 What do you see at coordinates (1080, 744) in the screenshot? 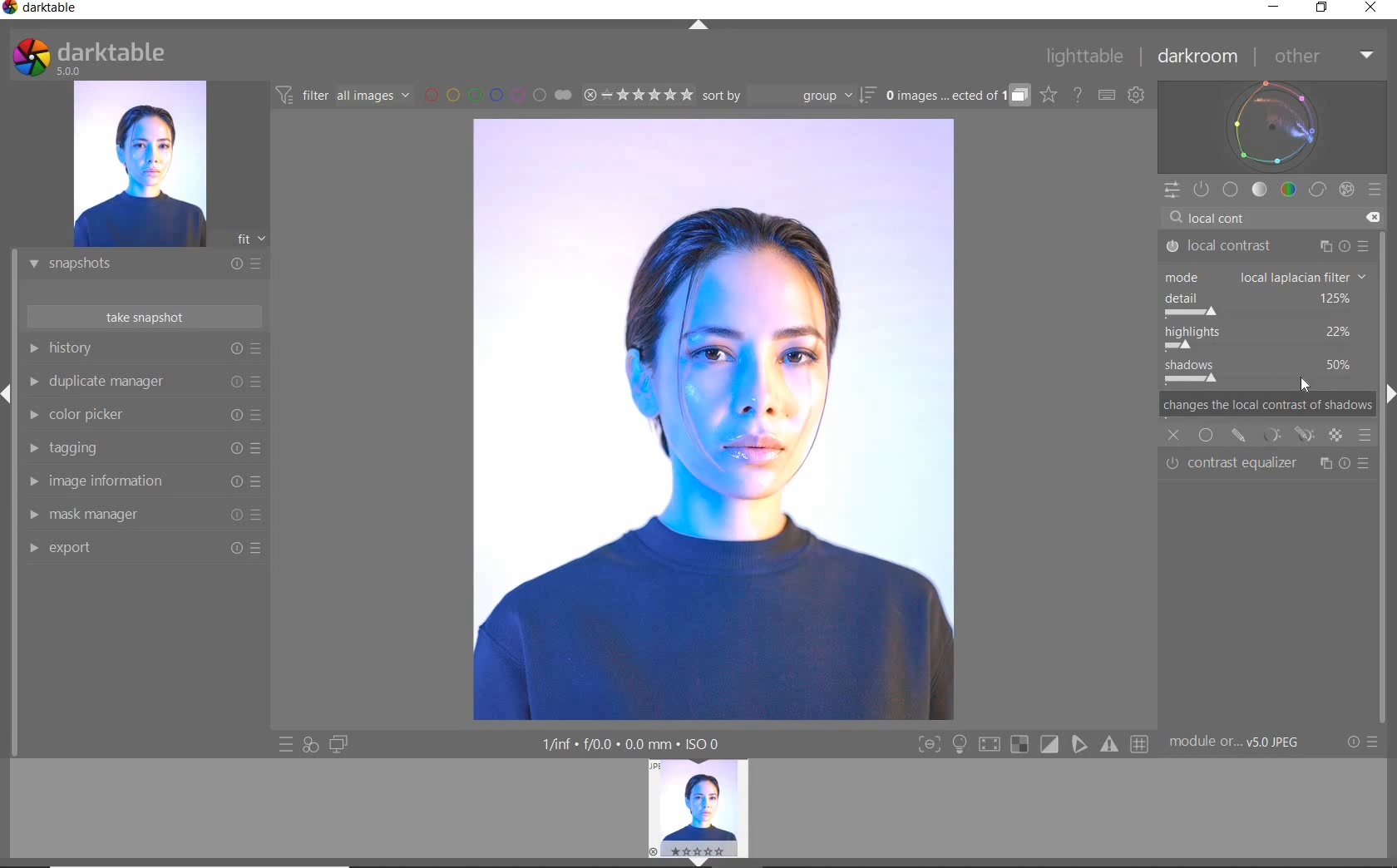
I see `Button` at bounding box center [1080, 744].